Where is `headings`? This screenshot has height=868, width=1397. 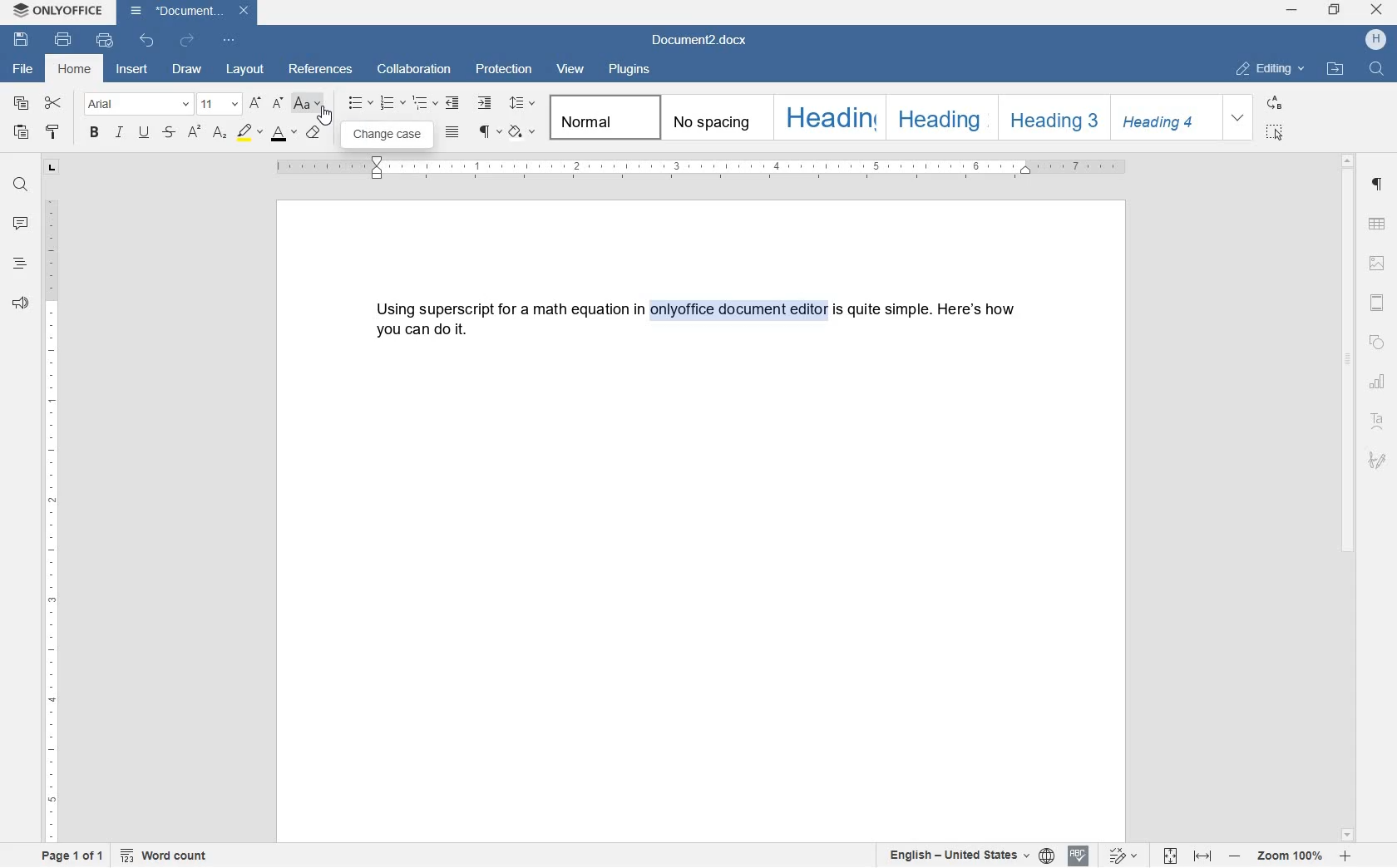
headings is located at coordinates (20, 264).